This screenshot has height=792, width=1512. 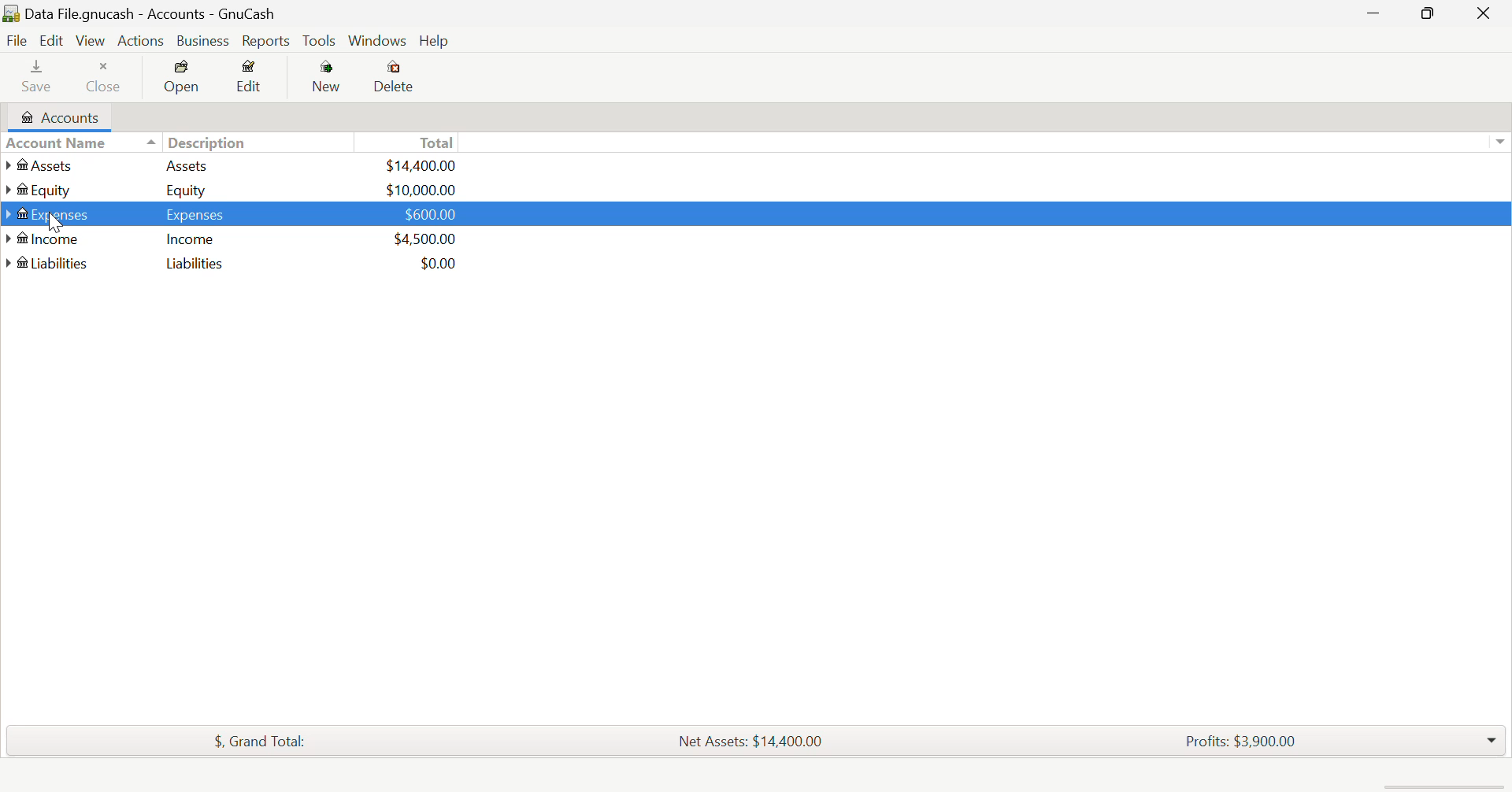 What do you see at coordinates (203, 42) in the screenshot?
I see `Business` at bounding box center [203, 42].